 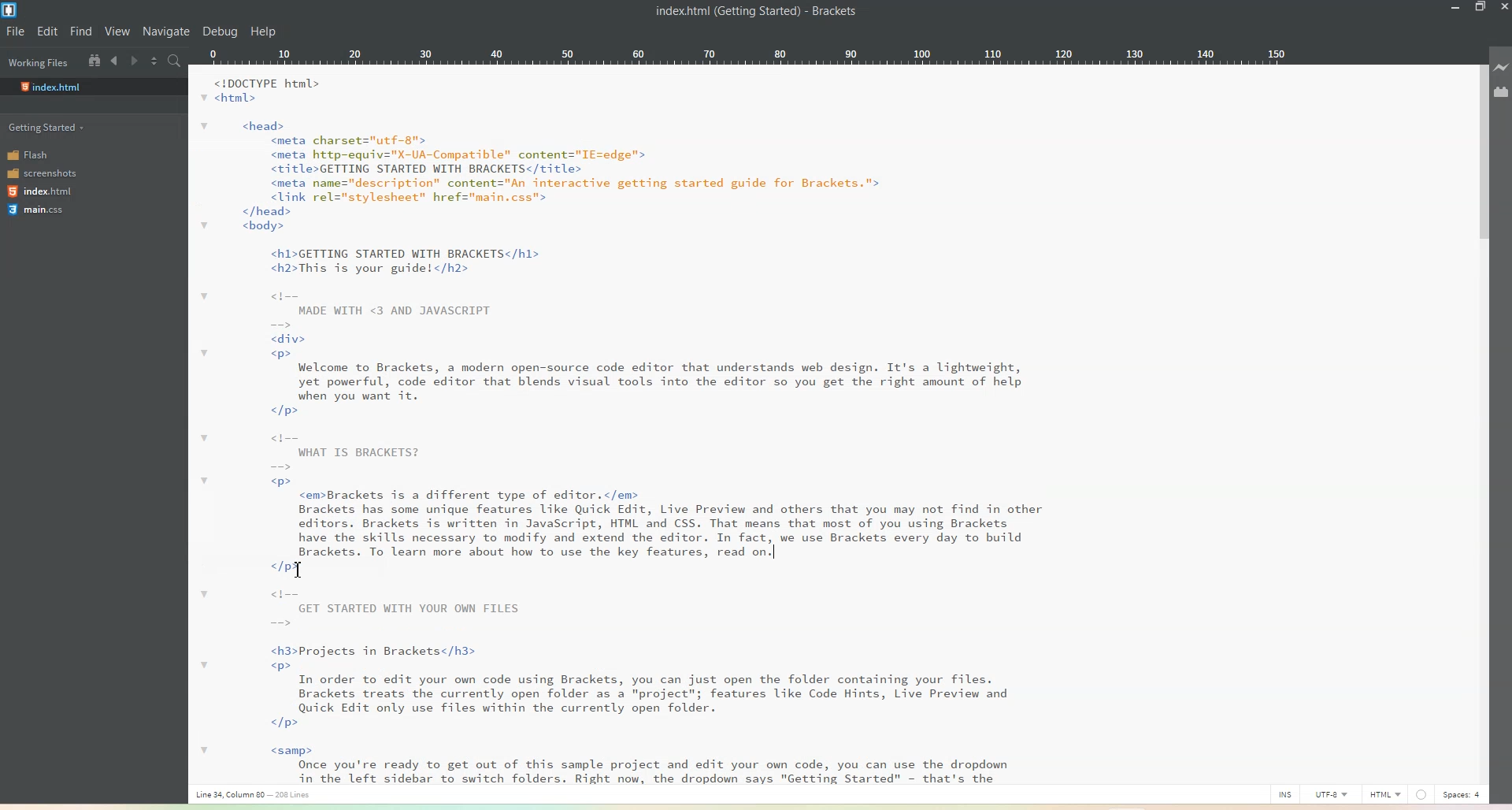 I want to click on Maximize, so click(x=1480, y=8).